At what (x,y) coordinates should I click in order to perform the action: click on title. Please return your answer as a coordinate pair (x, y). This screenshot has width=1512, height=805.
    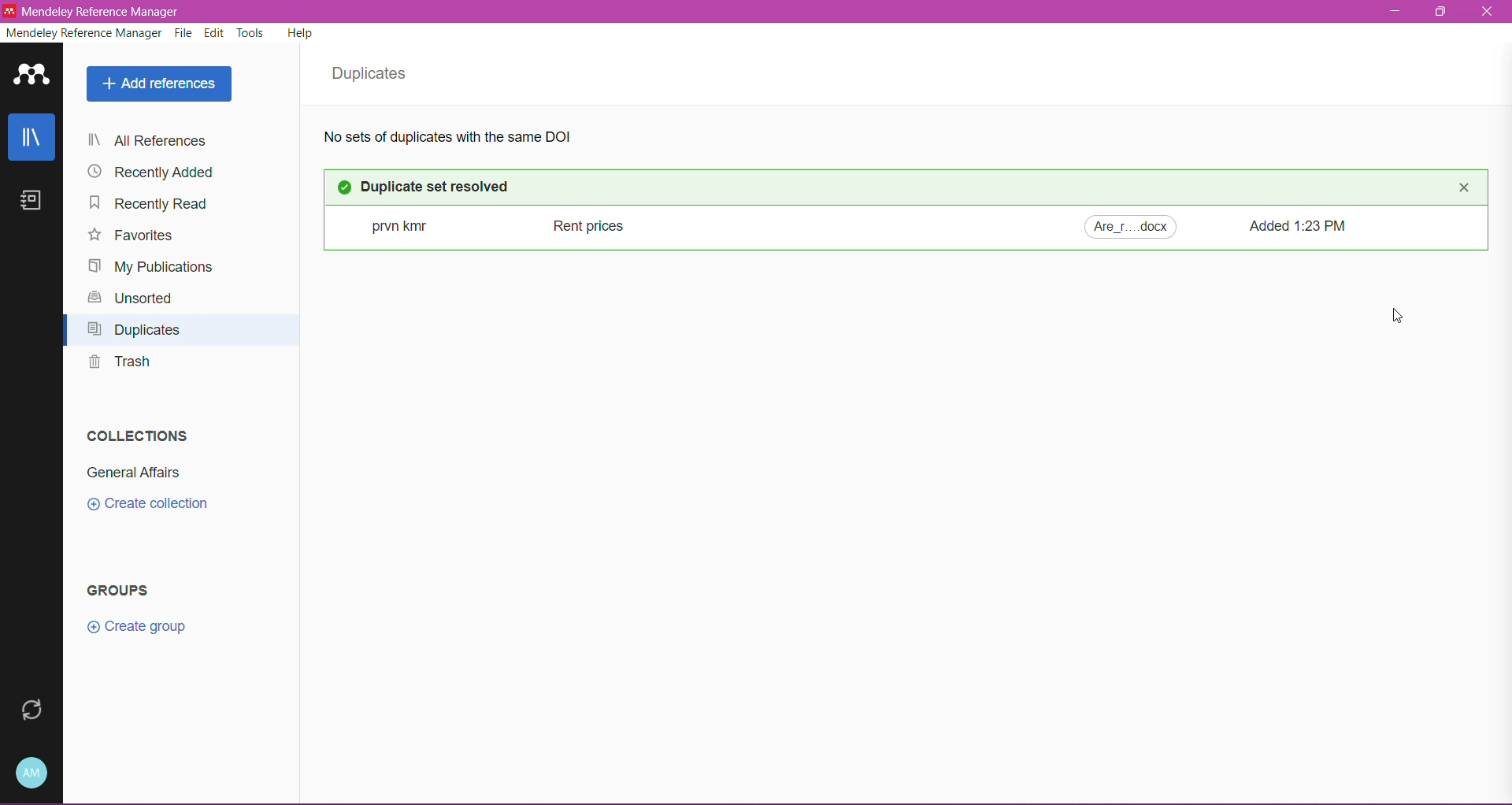
    Looking at the image, I should click on (578, 224).